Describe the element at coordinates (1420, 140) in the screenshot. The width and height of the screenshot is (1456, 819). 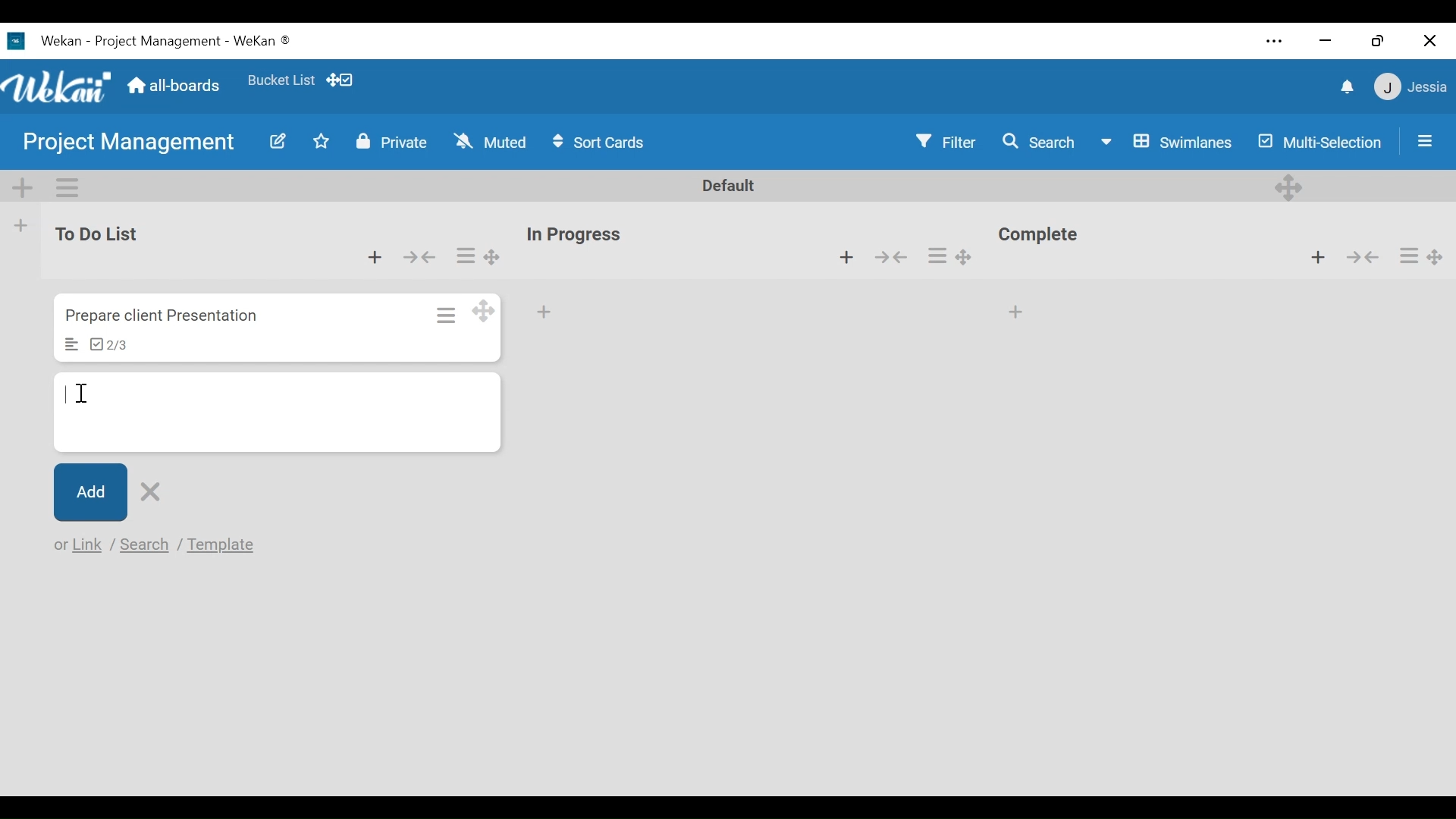
I see `Sidebar` at that location.